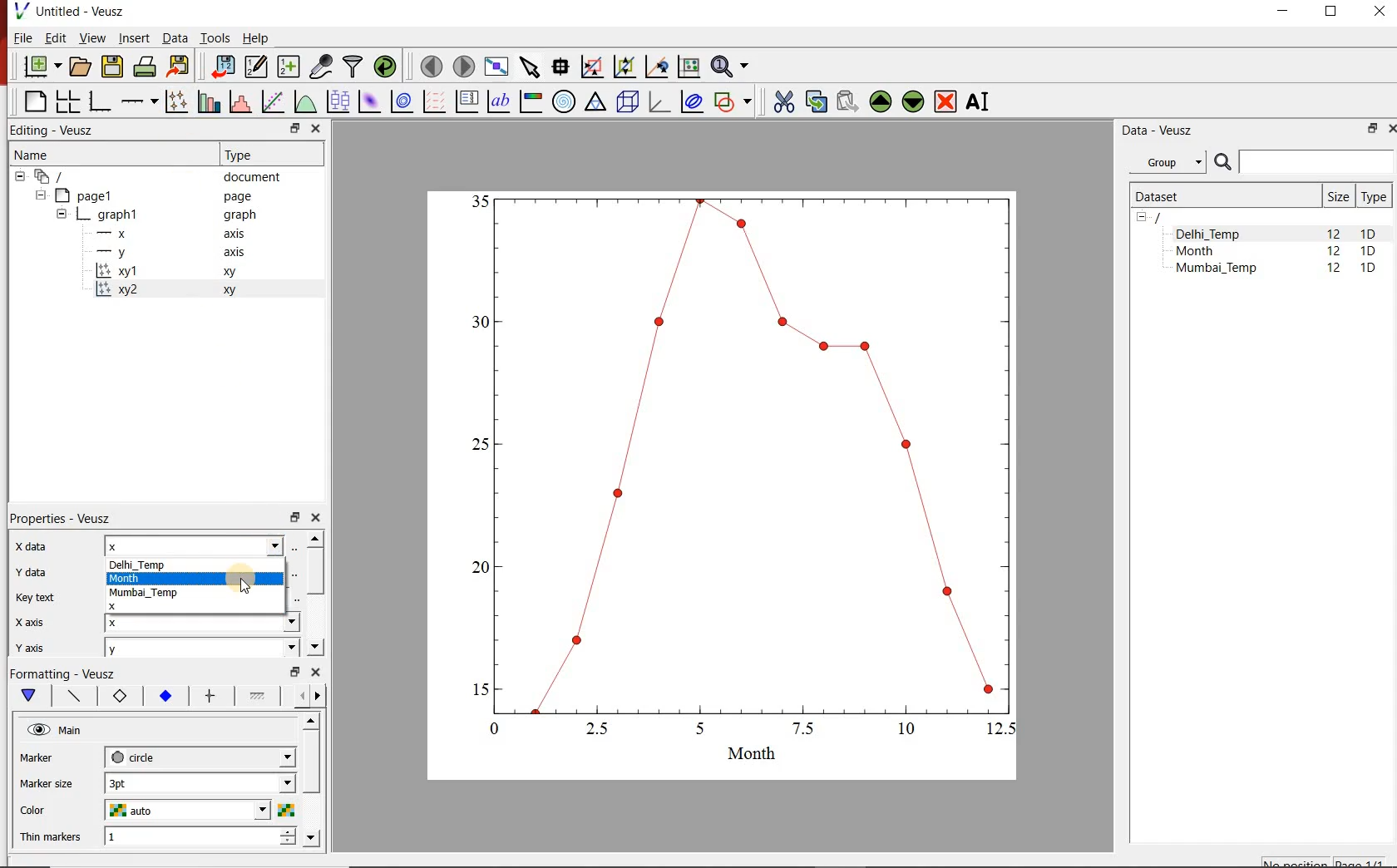 The width and height of the screenshot is (1397, 868). What do you see at coordinates (173, 291) in the screenshot?
I see `xy2` at bounding box center [173, 291].